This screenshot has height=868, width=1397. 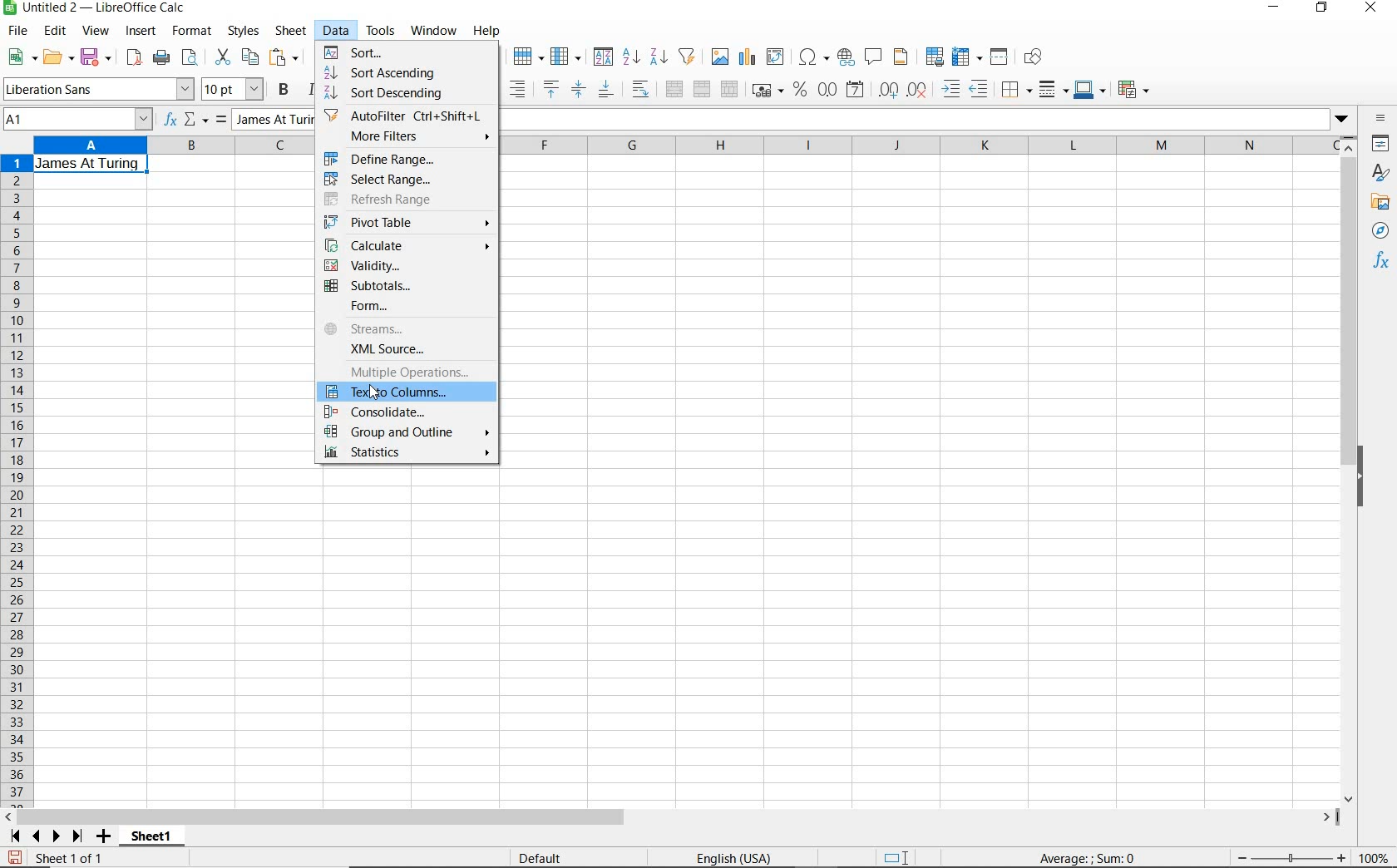 I want to click on sheet, so click(x=292, y=31).